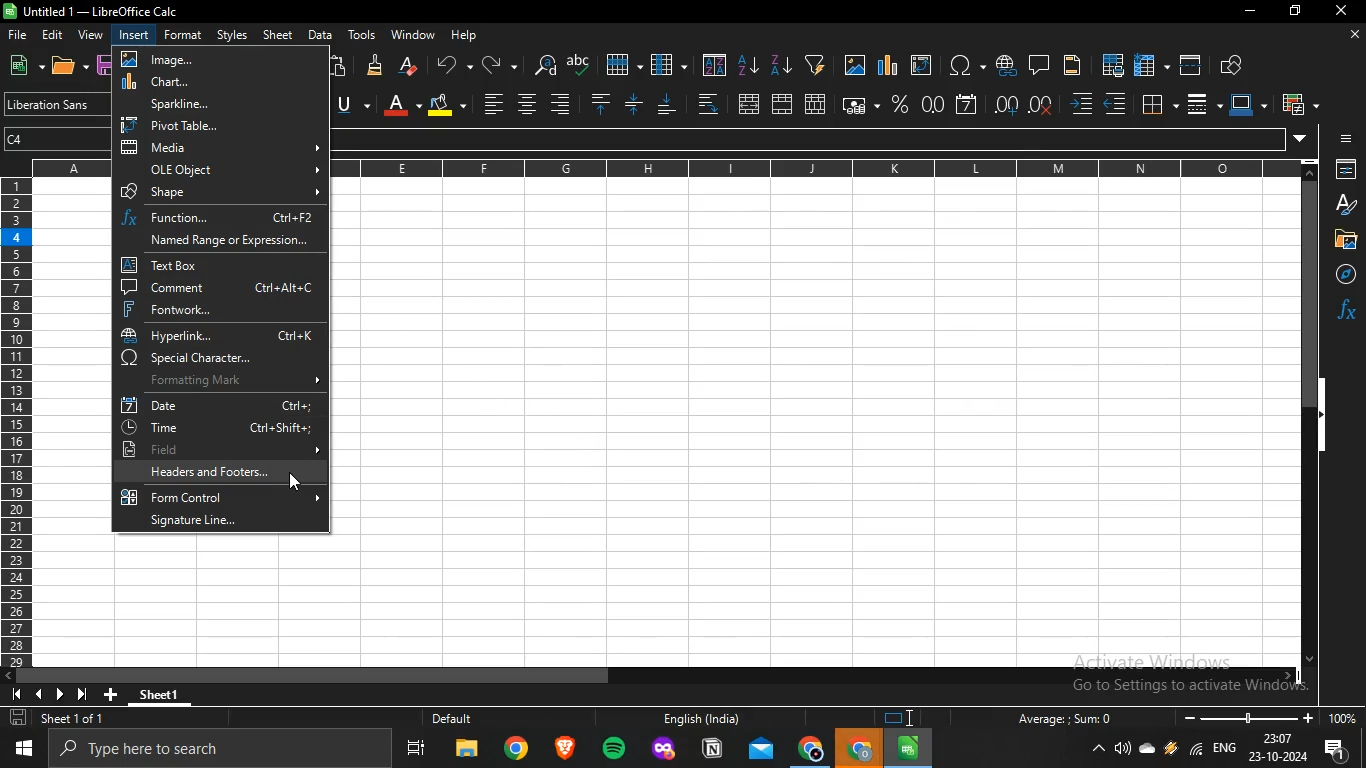  What do you see at coordinates (28, 748) in the screenshot?
I see `start` at bounding box center [28, 748].